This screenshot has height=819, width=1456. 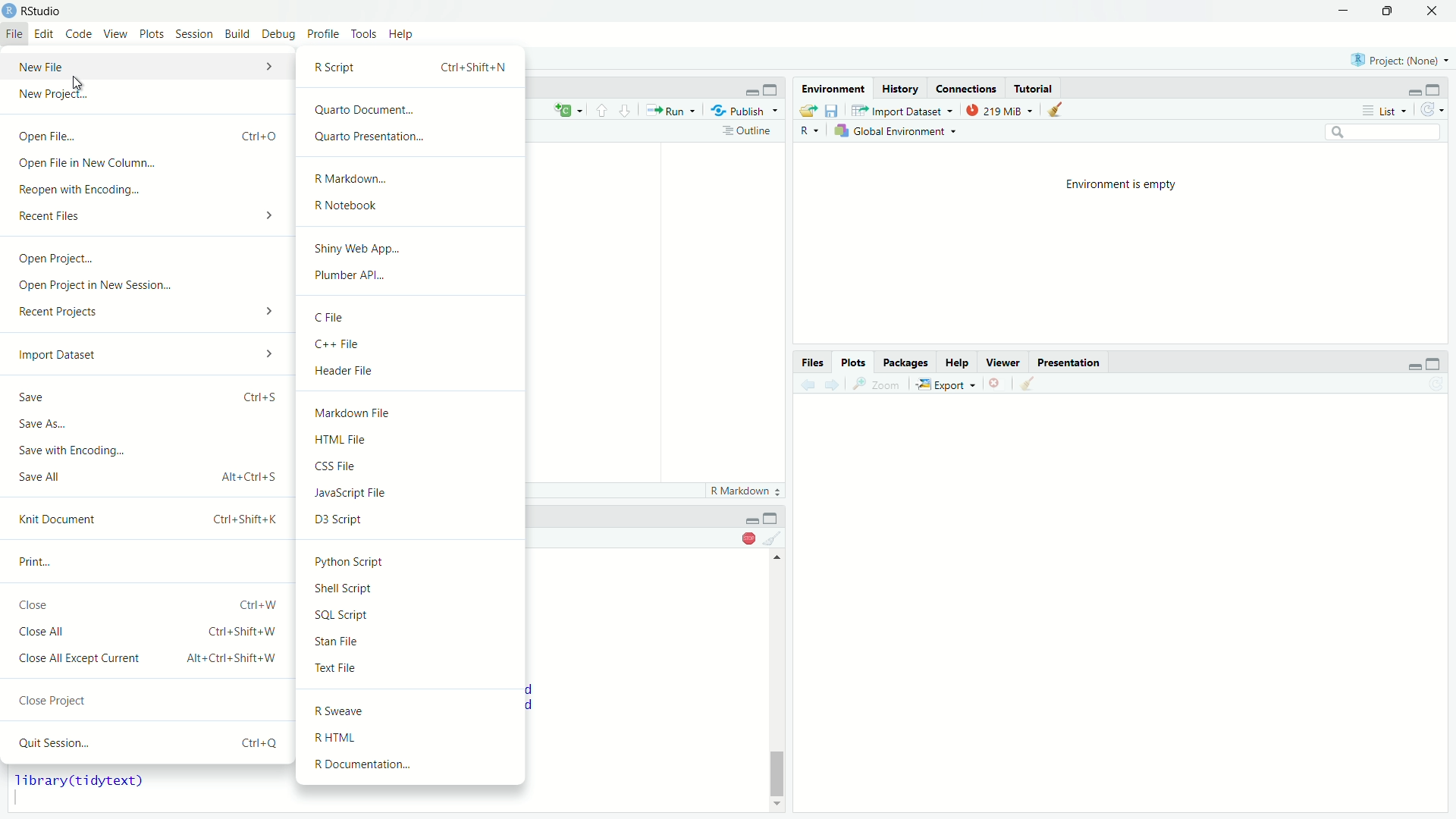 What do you see at coordinates (414, 437) in the screenshot?
I see `HTML File` at bounding box center [414, 437].